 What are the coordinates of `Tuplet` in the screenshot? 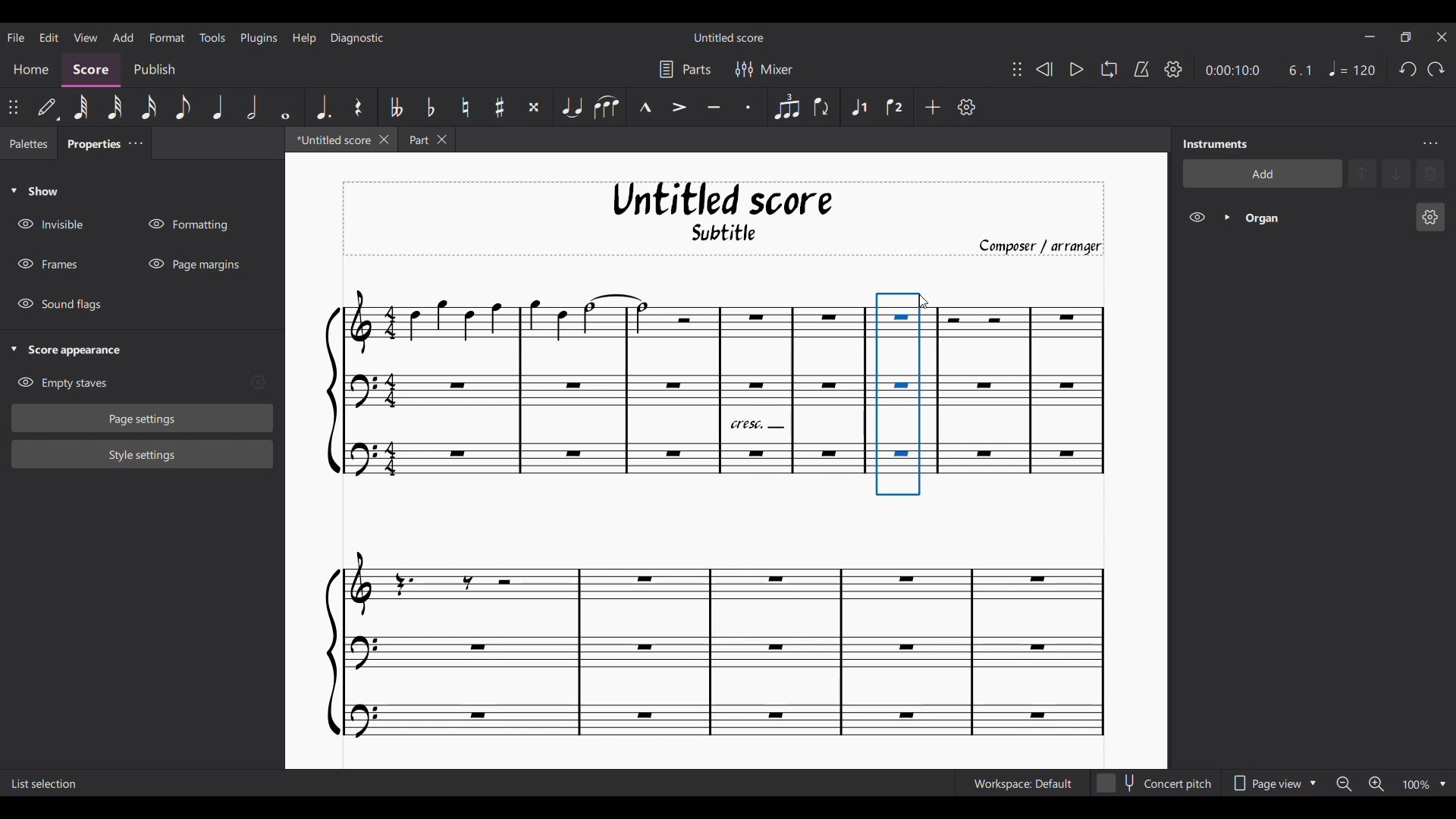 It's located at (785, 107).